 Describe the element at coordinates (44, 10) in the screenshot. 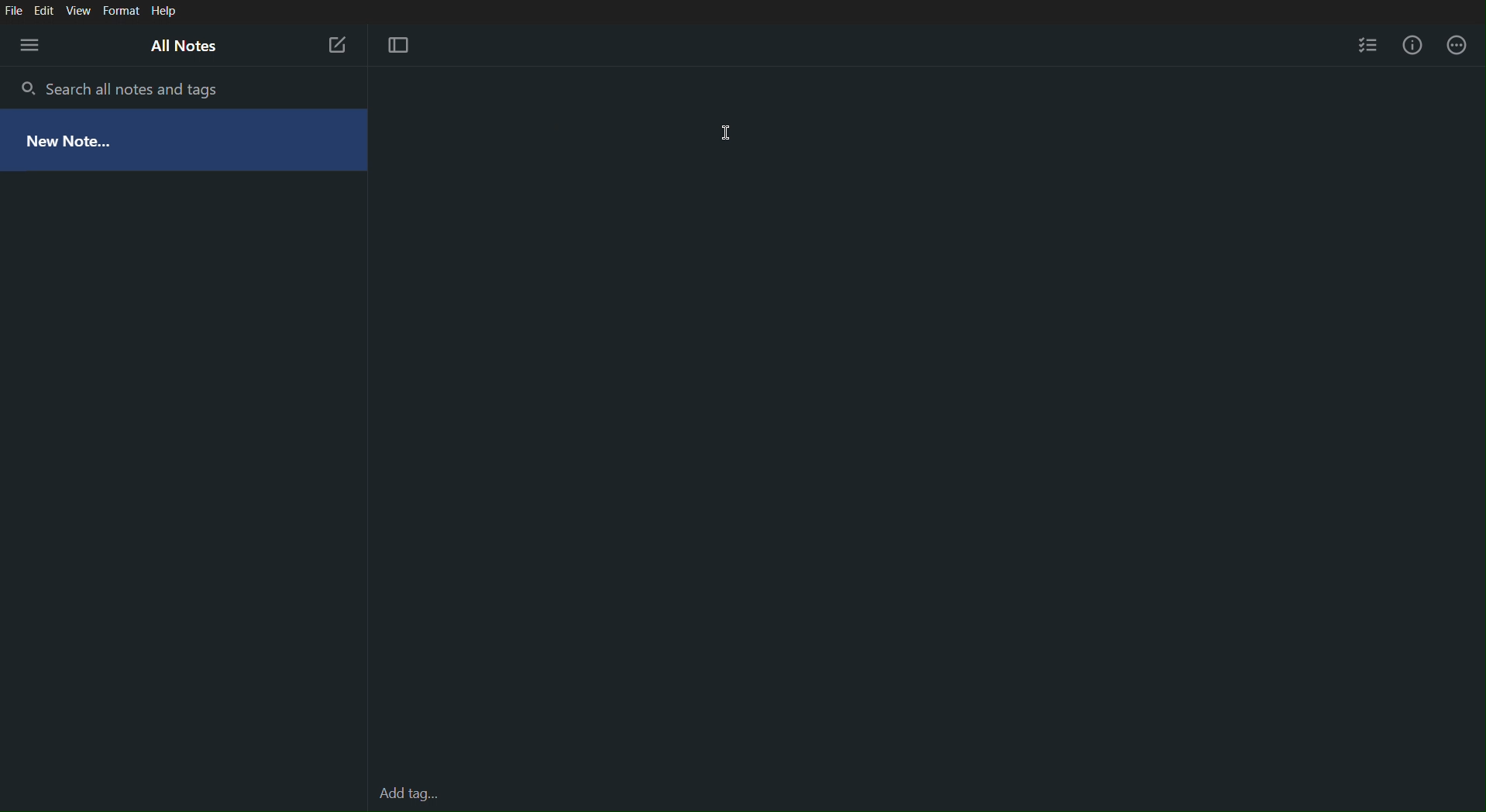

I see `Edit` at that location.